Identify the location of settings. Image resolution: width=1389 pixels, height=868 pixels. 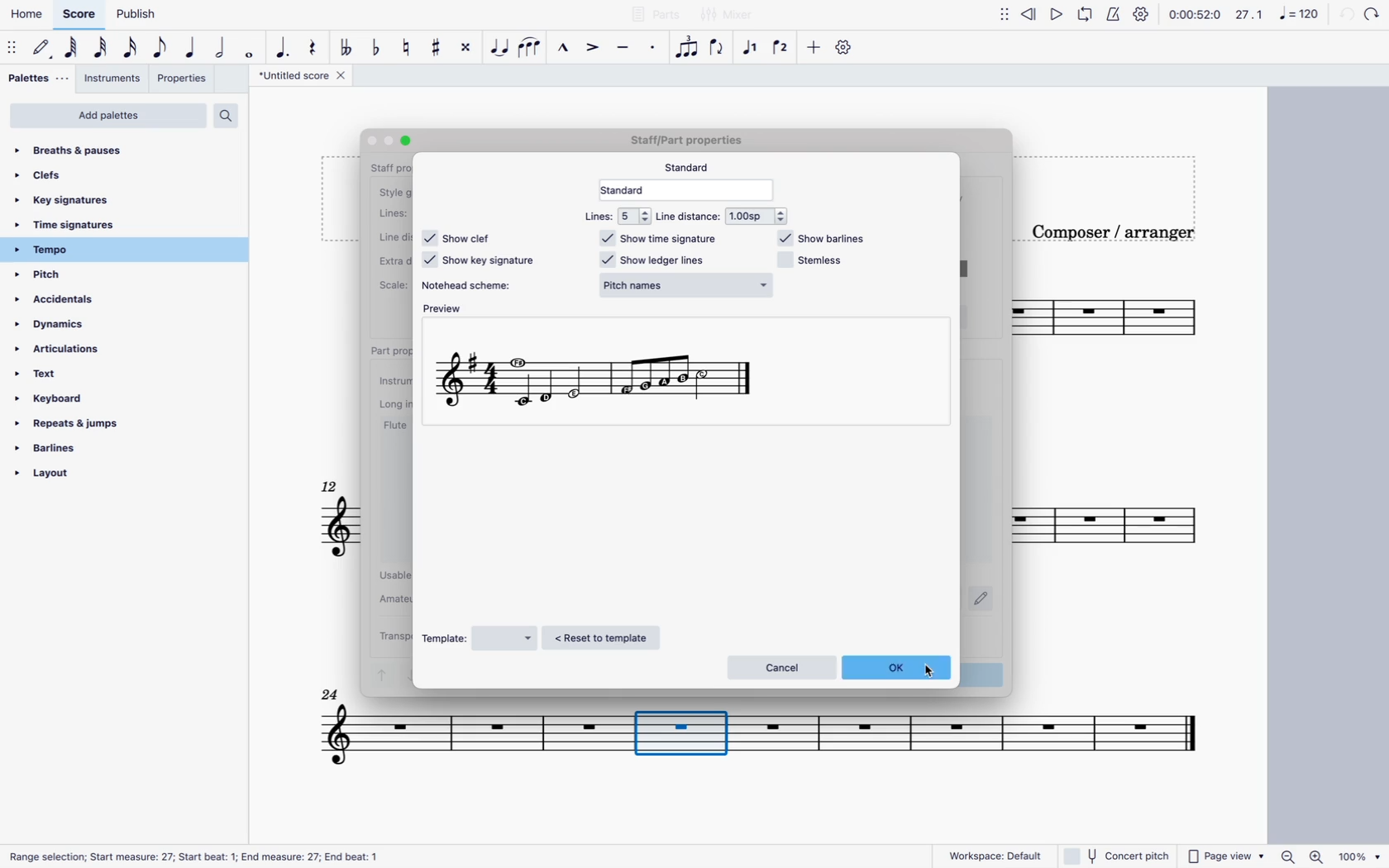
(846, 49).